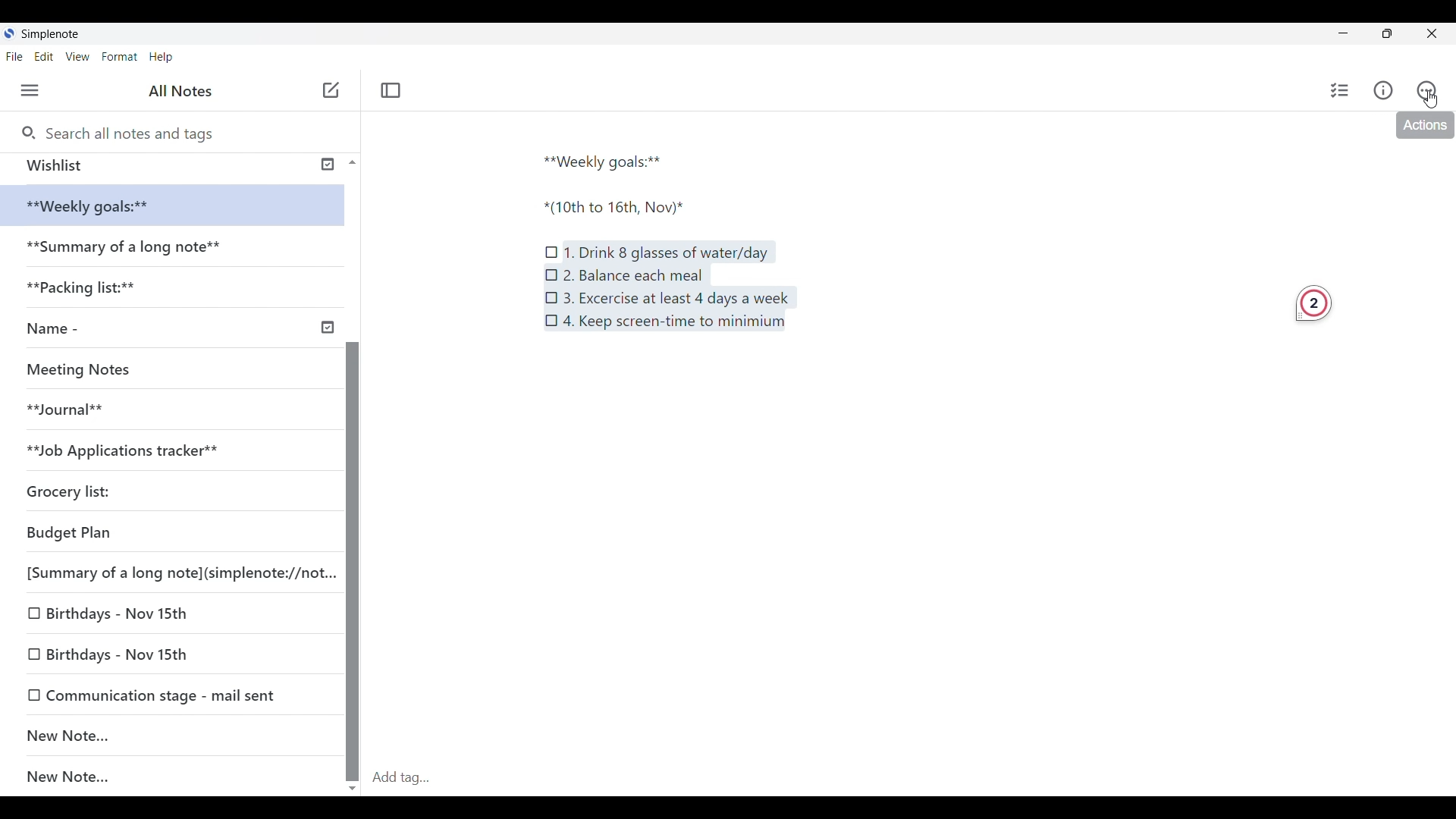  Describe the element at coordinates (120, 56) in the screenshot. I see `Format` at that location.